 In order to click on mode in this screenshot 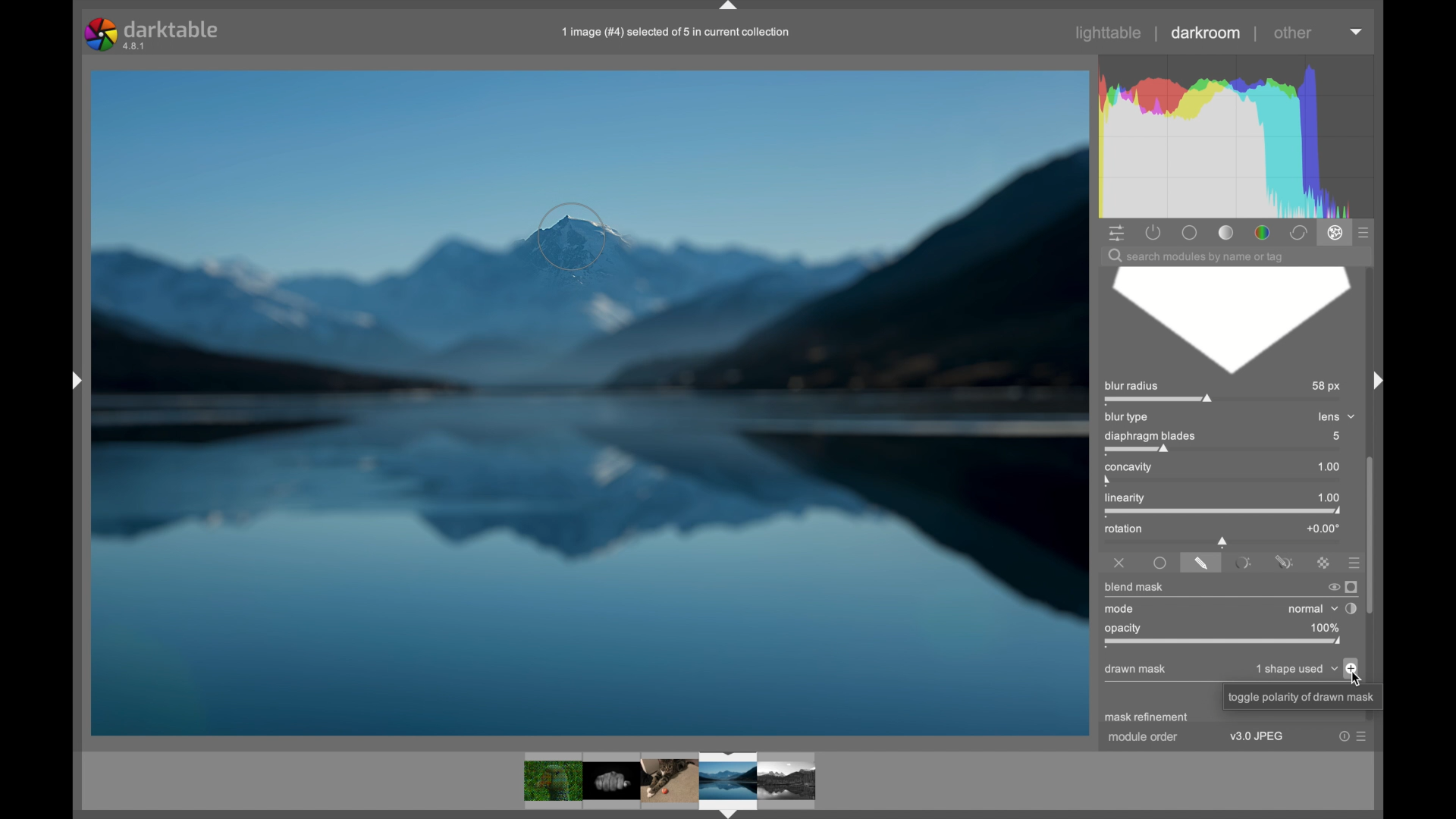, I will do `click(1119, 609)`.